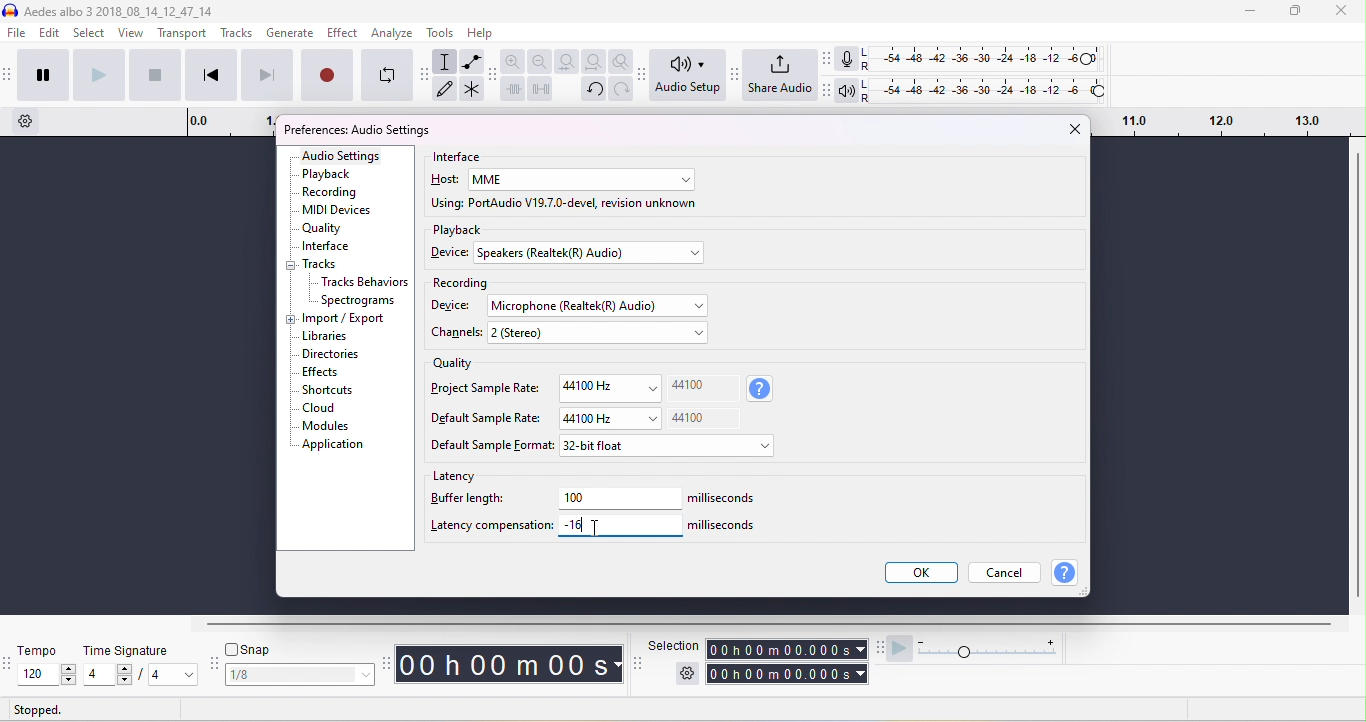 This screenshot has height=722, width=1366. I want to click on cloud, so click(319, 408).